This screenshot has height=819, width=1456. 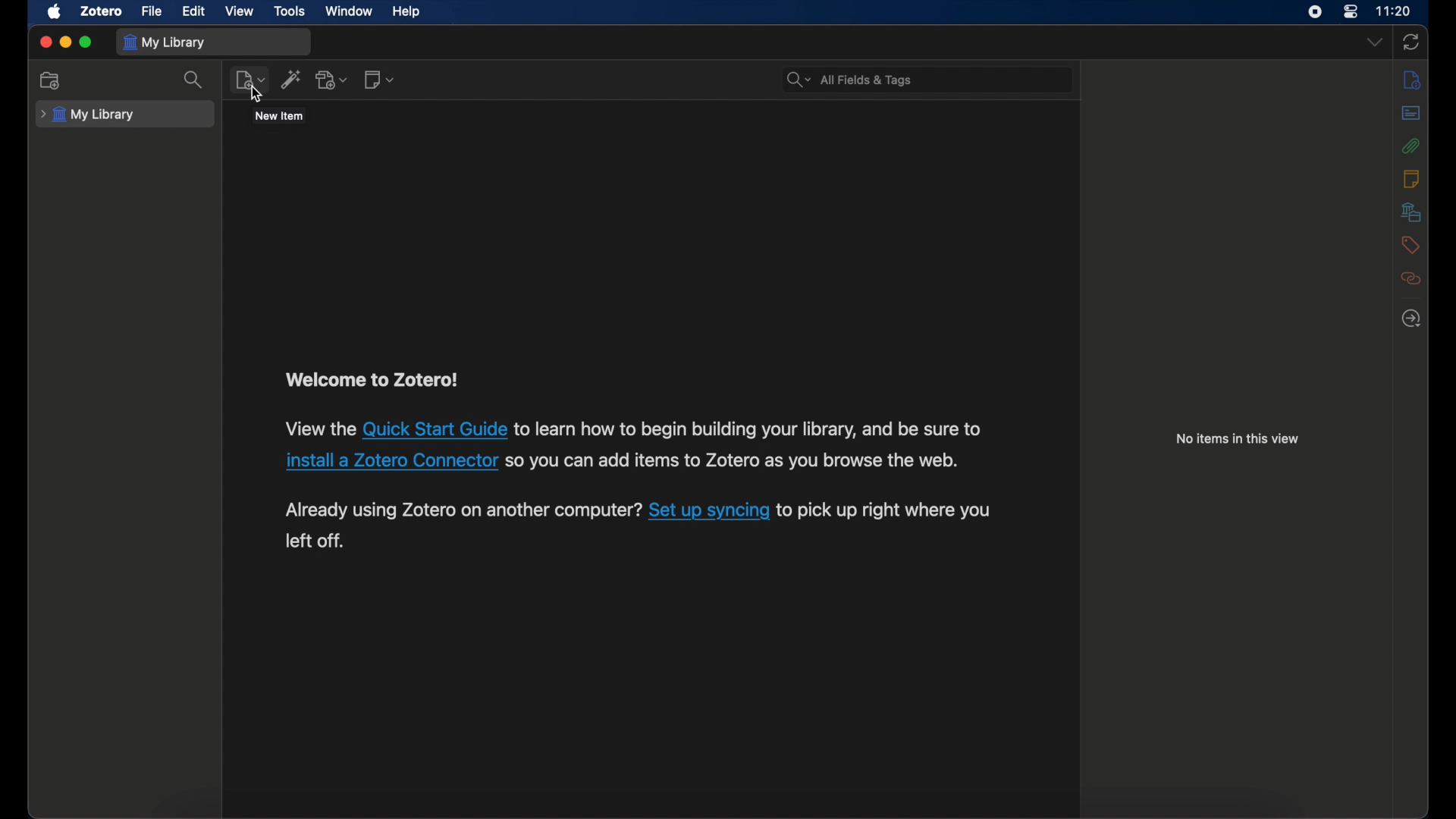 I want to click on related, so click(x=1409, y=278).